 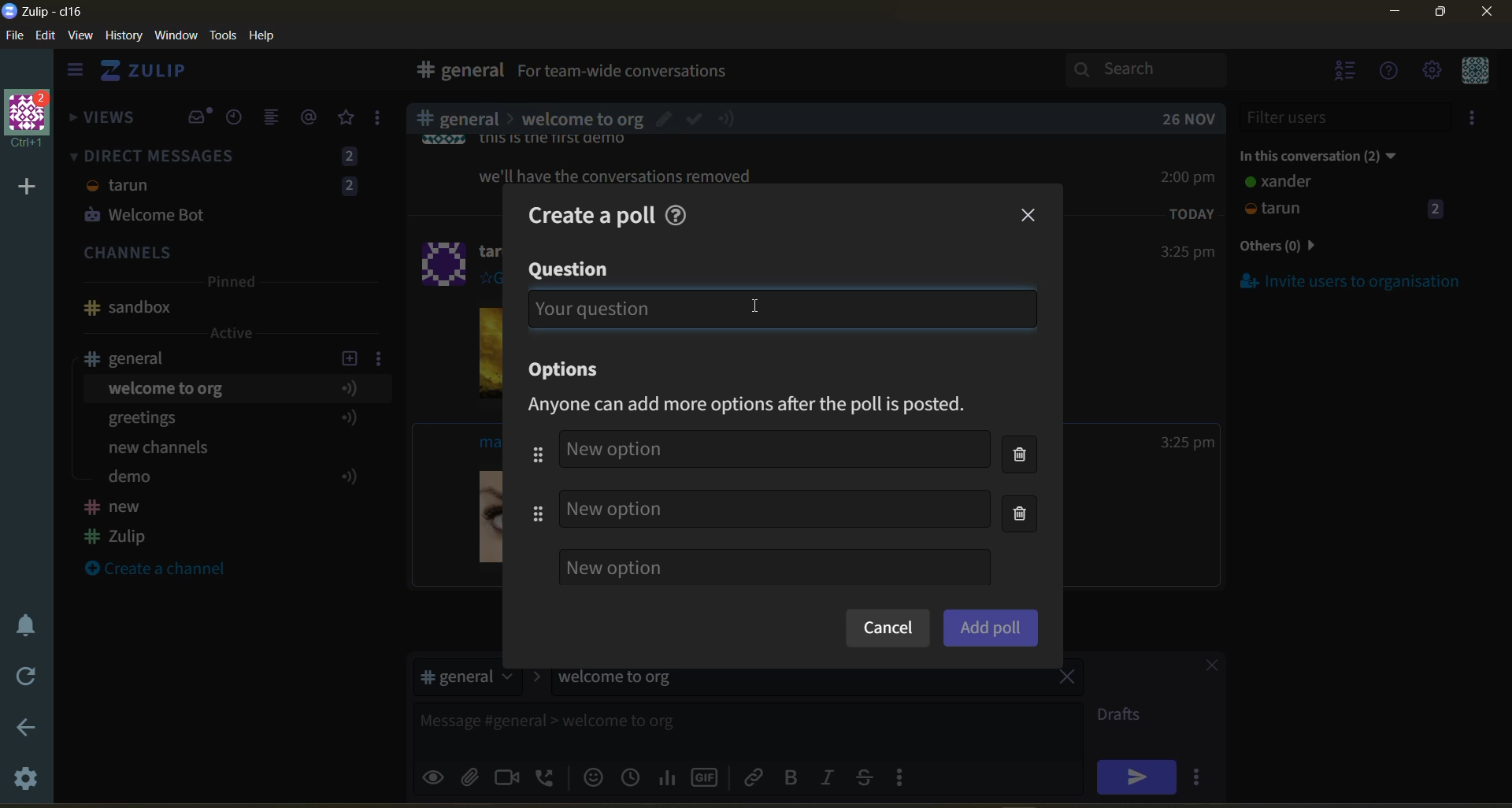 I want to click on combined feed, so click(x=278, y=120).